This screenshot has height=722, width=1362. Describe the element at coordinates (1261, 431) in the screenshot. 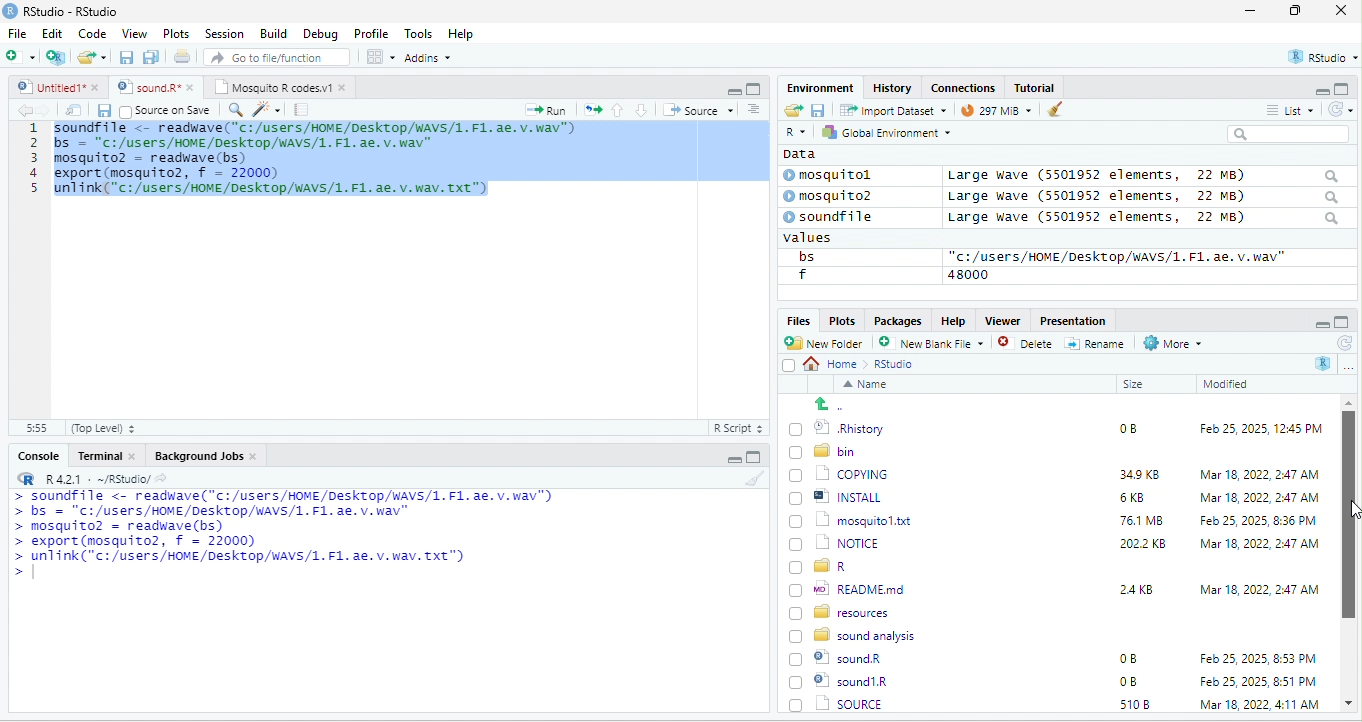

I see `Feb 25, 2025, 12:45 PM` at that location.